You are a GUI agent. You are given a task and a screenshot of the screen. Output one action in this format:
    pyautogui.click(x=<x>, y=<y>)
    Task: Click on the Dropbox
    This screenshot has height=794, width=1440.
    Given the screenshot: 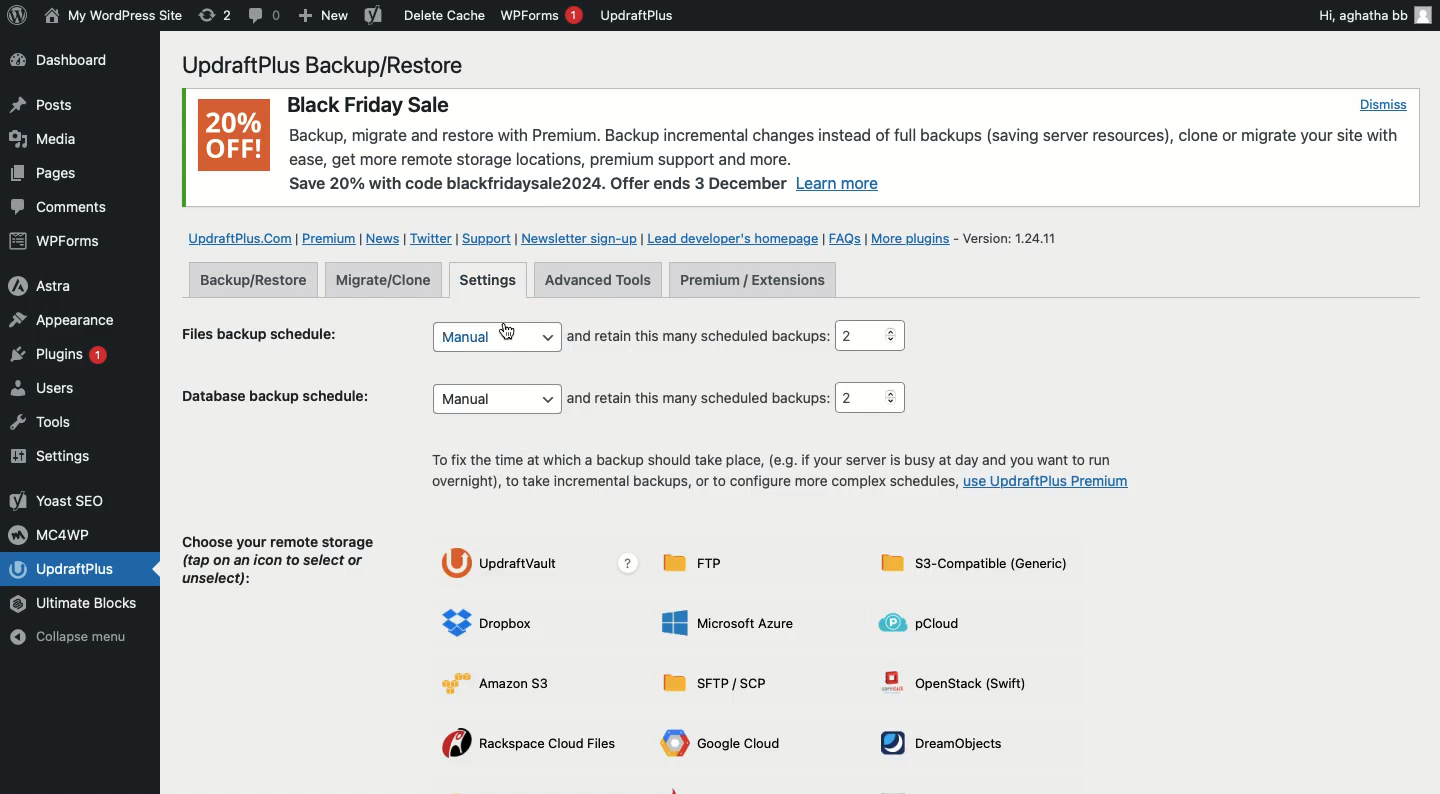 What is the action you would take?
    pyautogui.click(x=493, y=624)
    